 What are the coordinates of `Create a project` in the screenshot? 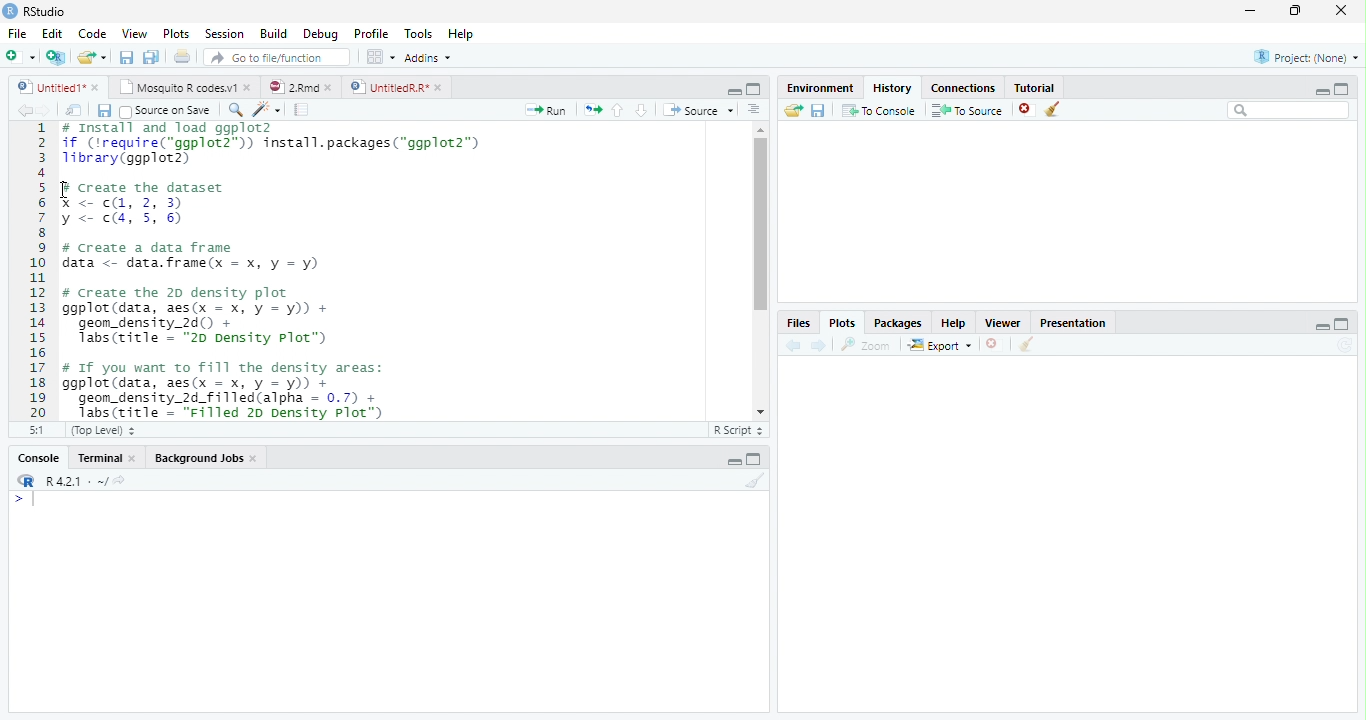 It's located at (55, 57).